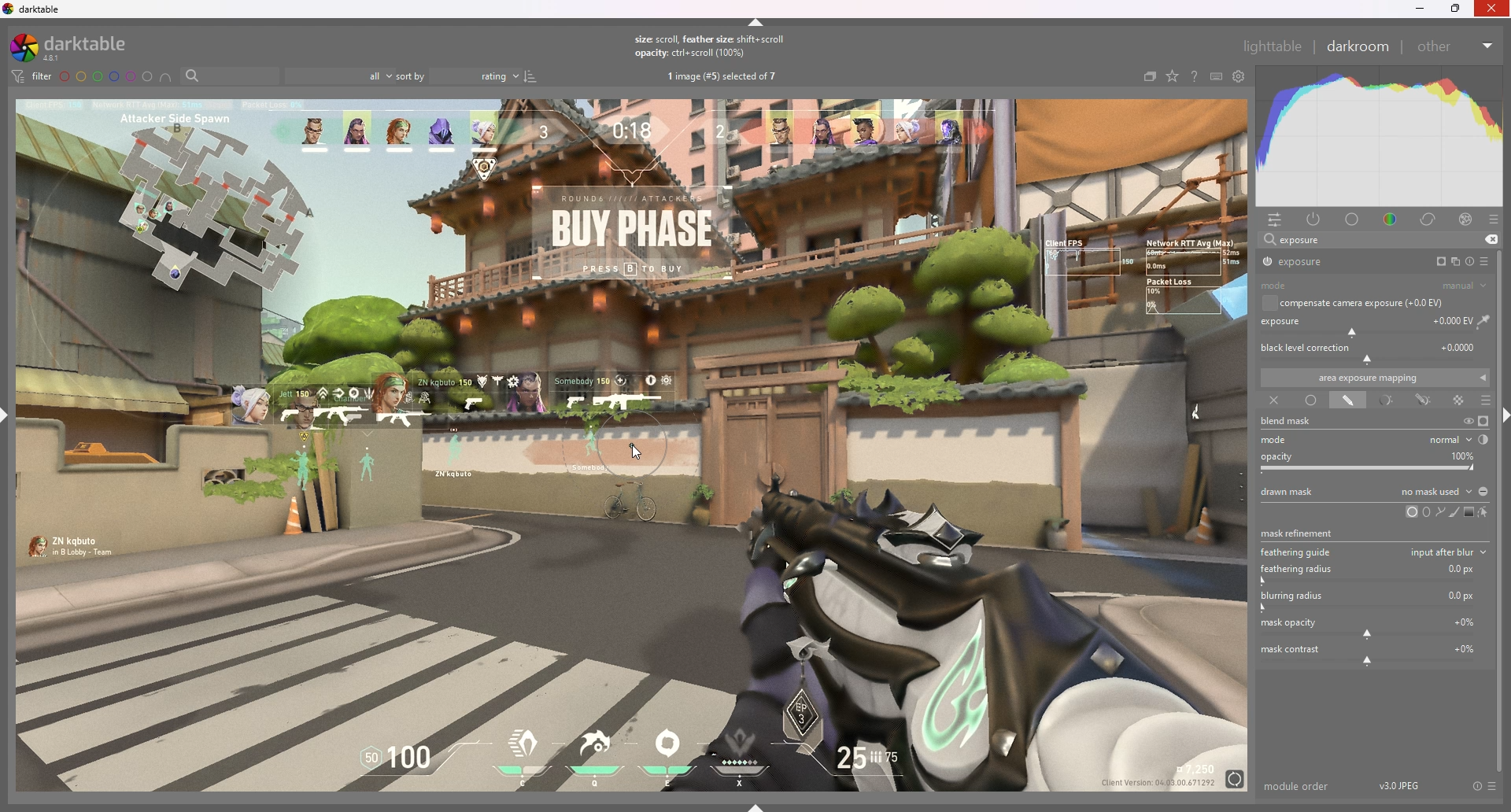 The width and height of the screenshot is (1511, 812). I want to click on reset, so click(1469, 261).